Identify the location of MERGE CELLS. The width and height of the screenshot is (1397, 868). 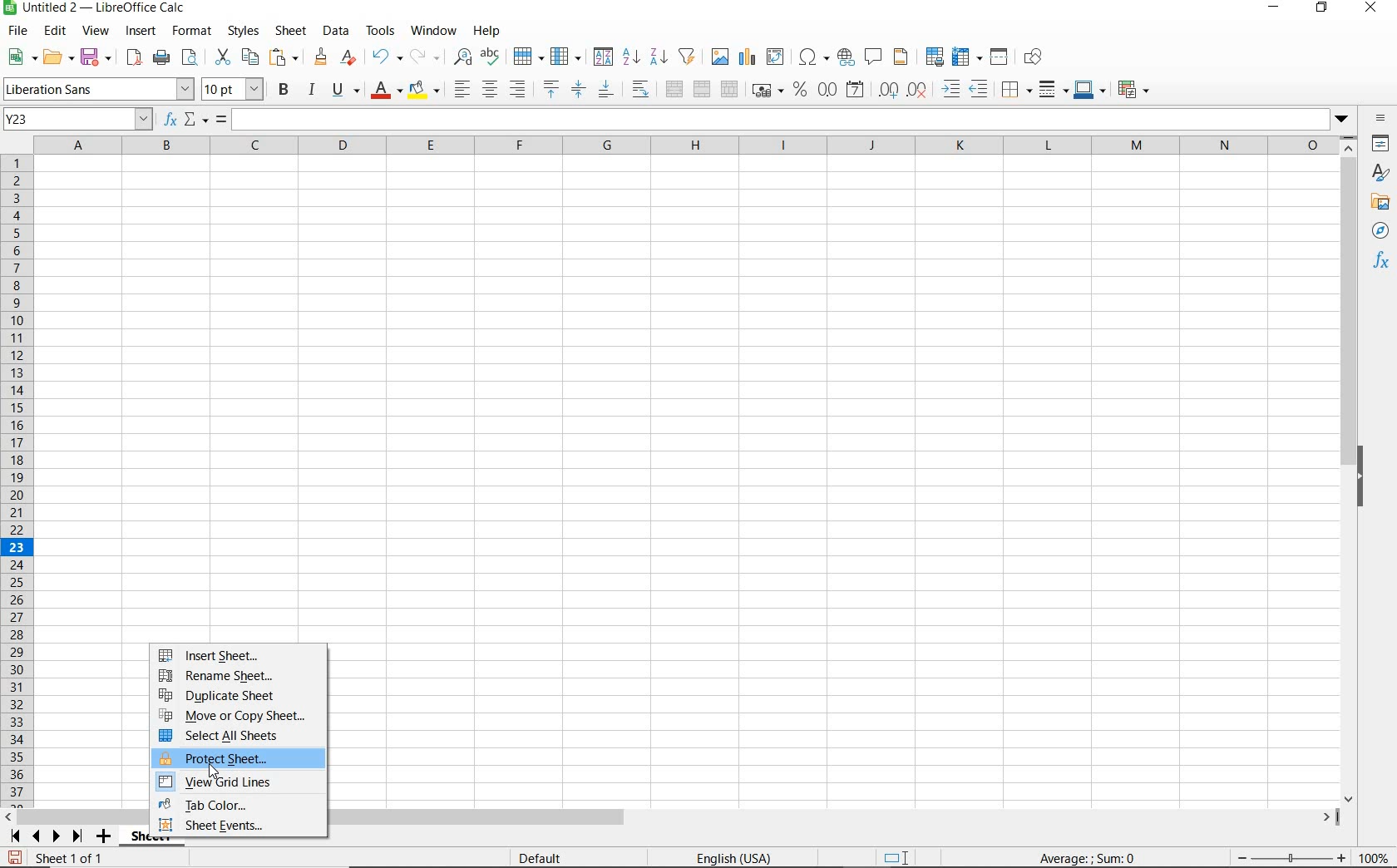
(702, 90).